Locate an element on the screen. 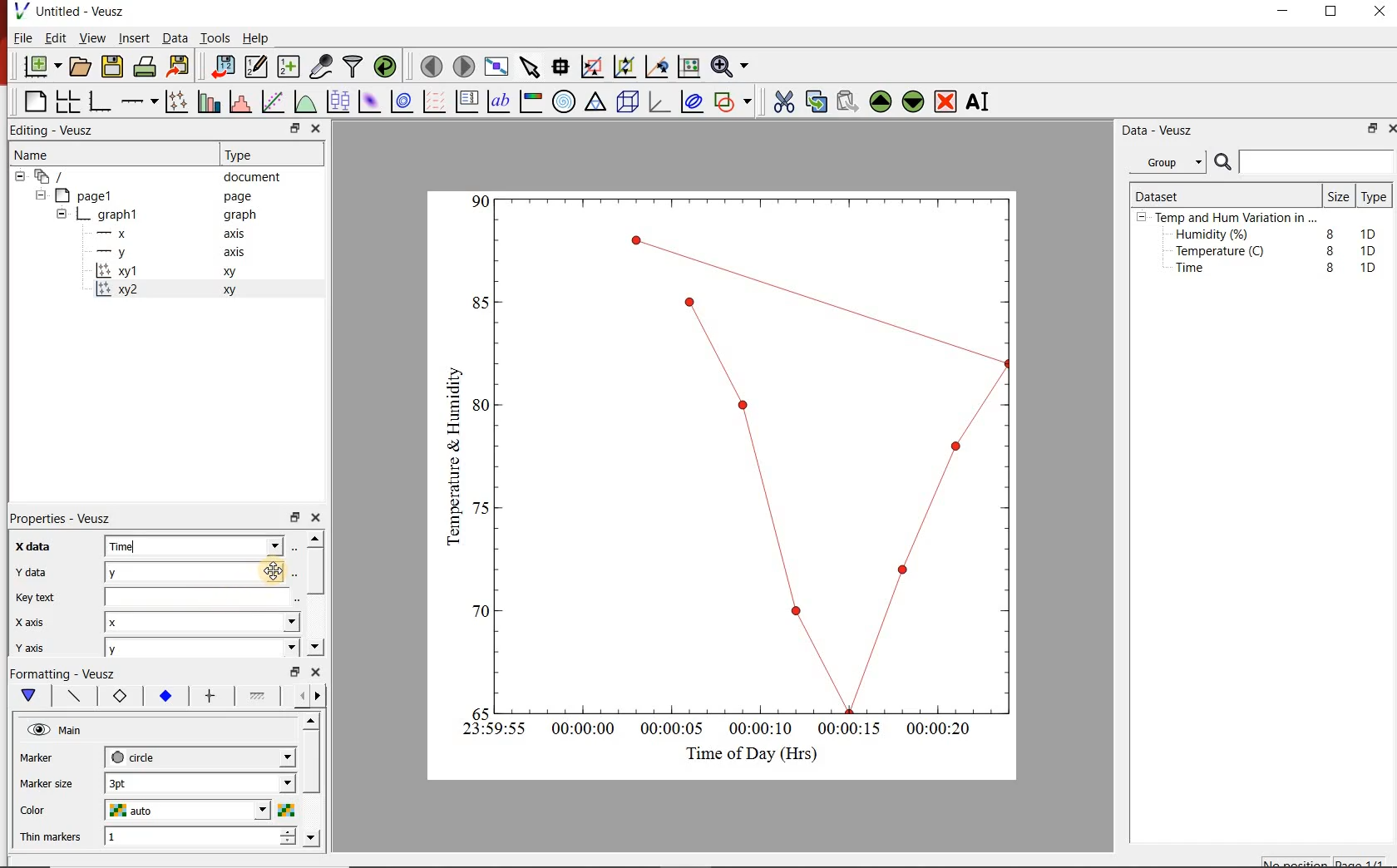 Image resolution: width=1397 pixels, height=868 pixels. Read data points on the graph is located at coordinates (562, 67).